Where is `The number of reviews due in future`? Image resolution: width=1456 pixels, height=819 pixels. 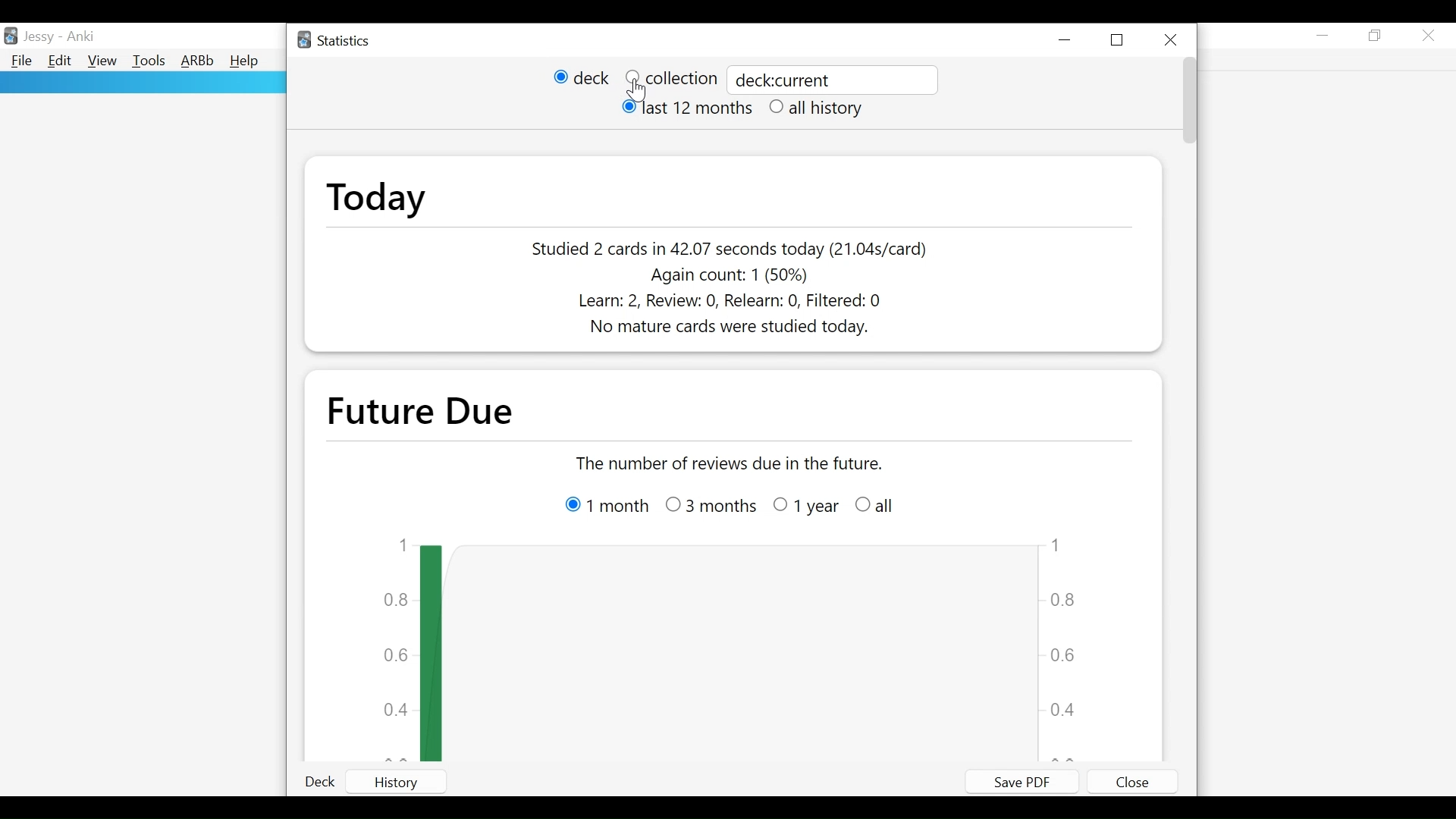
The number of reviews due in future is located at coordinates (726, 463).